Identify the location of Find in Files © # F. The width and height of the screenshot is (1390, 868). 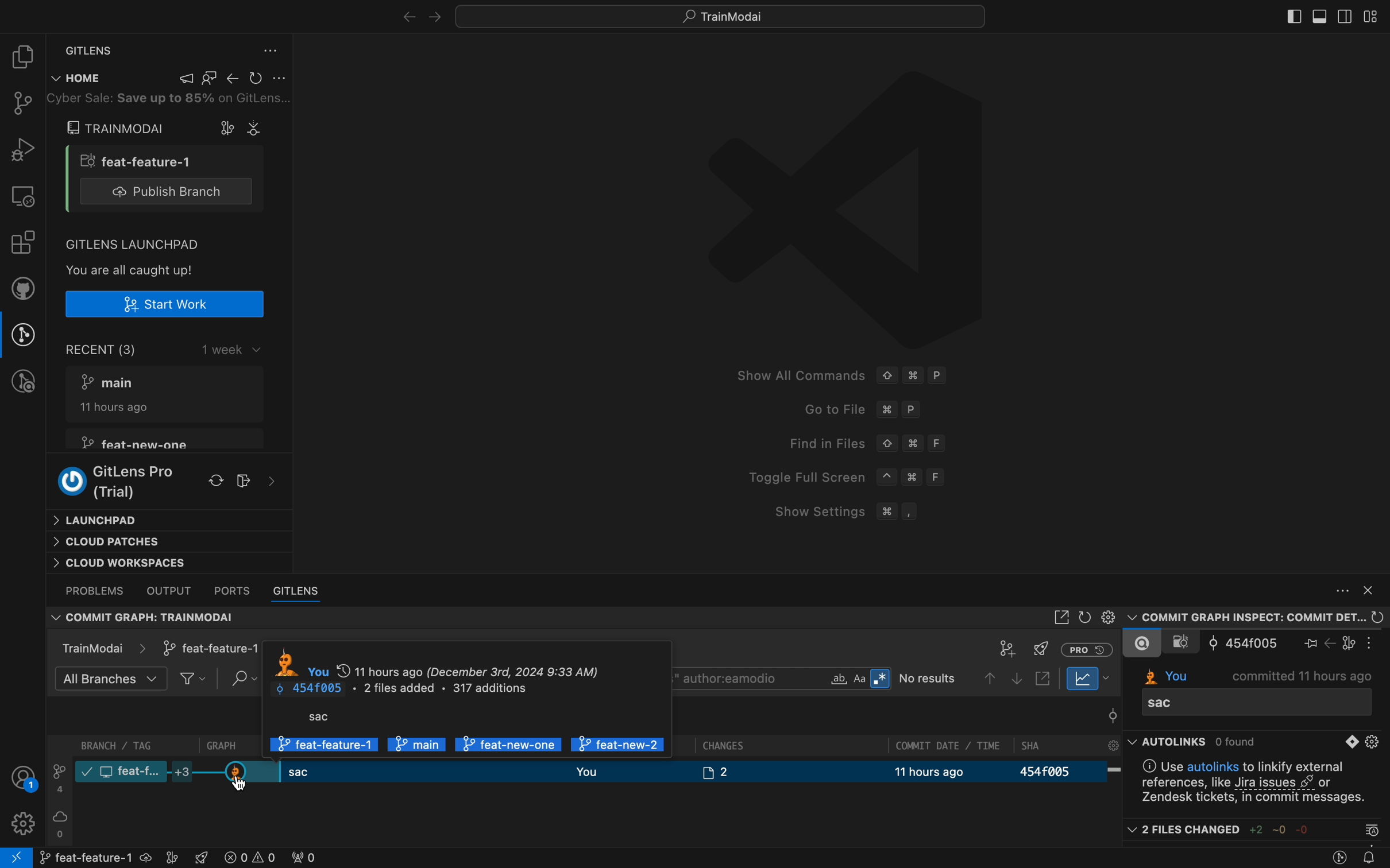
(865, 445).